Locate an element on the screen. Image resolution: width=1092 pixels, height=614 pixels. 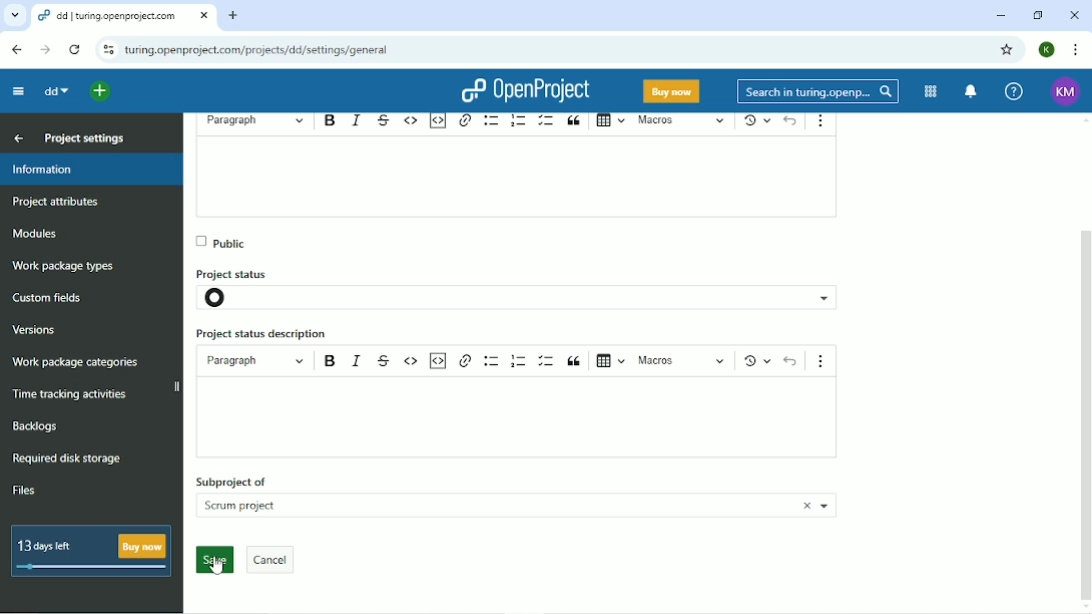
Bold is located at coordinates (328, 120).